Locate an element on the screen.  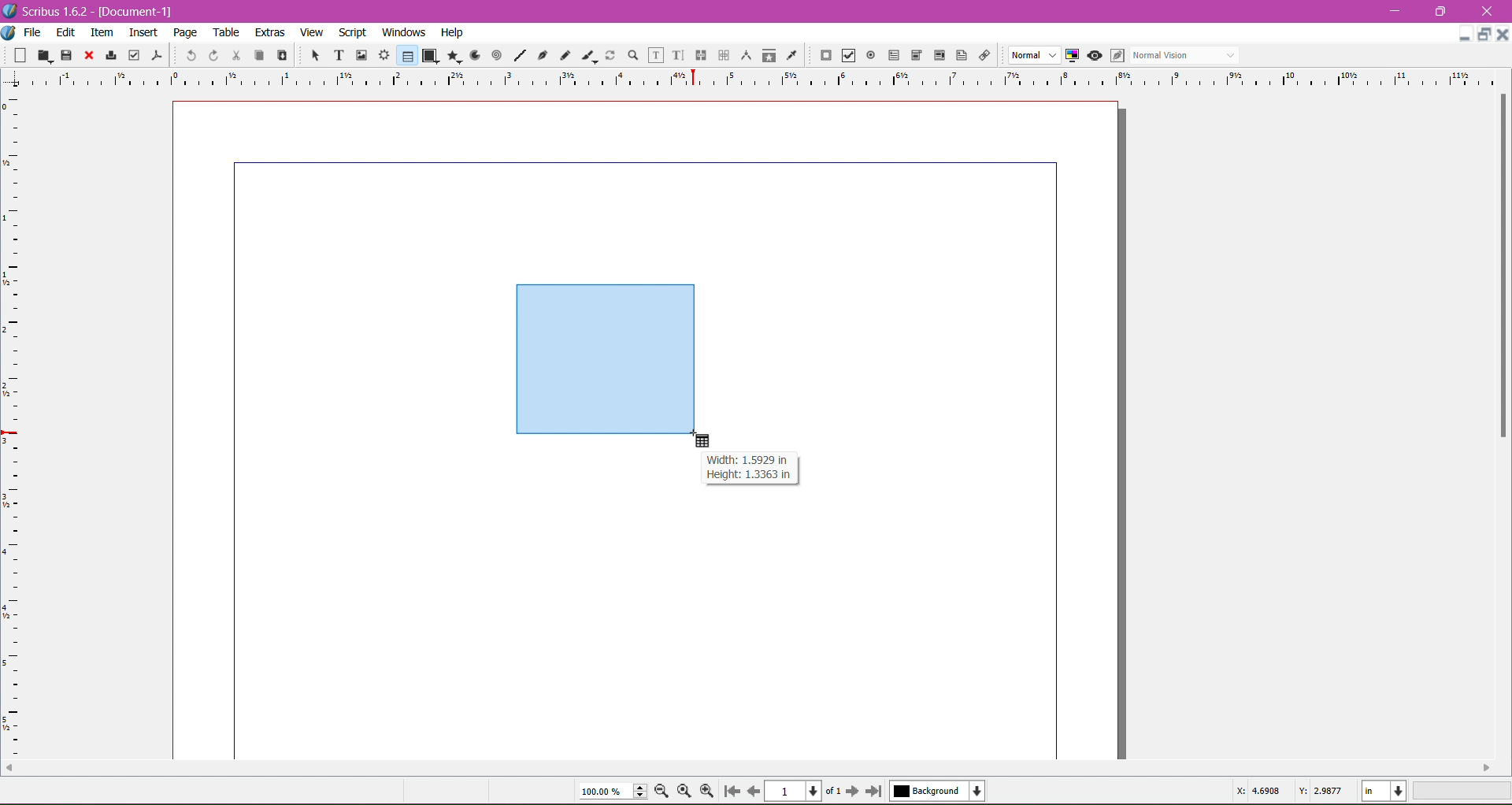
Tables is located at coordinates (406, 55).